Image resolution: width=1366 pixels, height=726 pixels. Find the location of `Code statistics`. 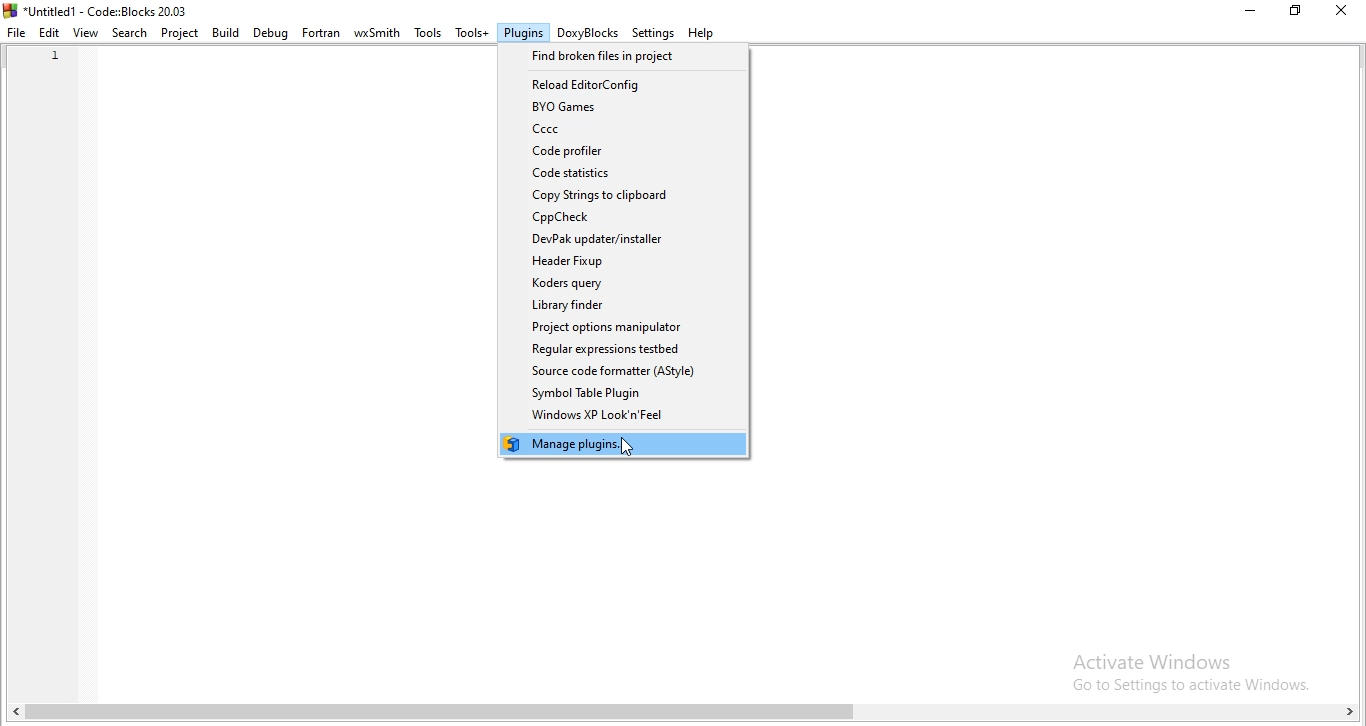

Code statistics is located at coordinates (625, 173).